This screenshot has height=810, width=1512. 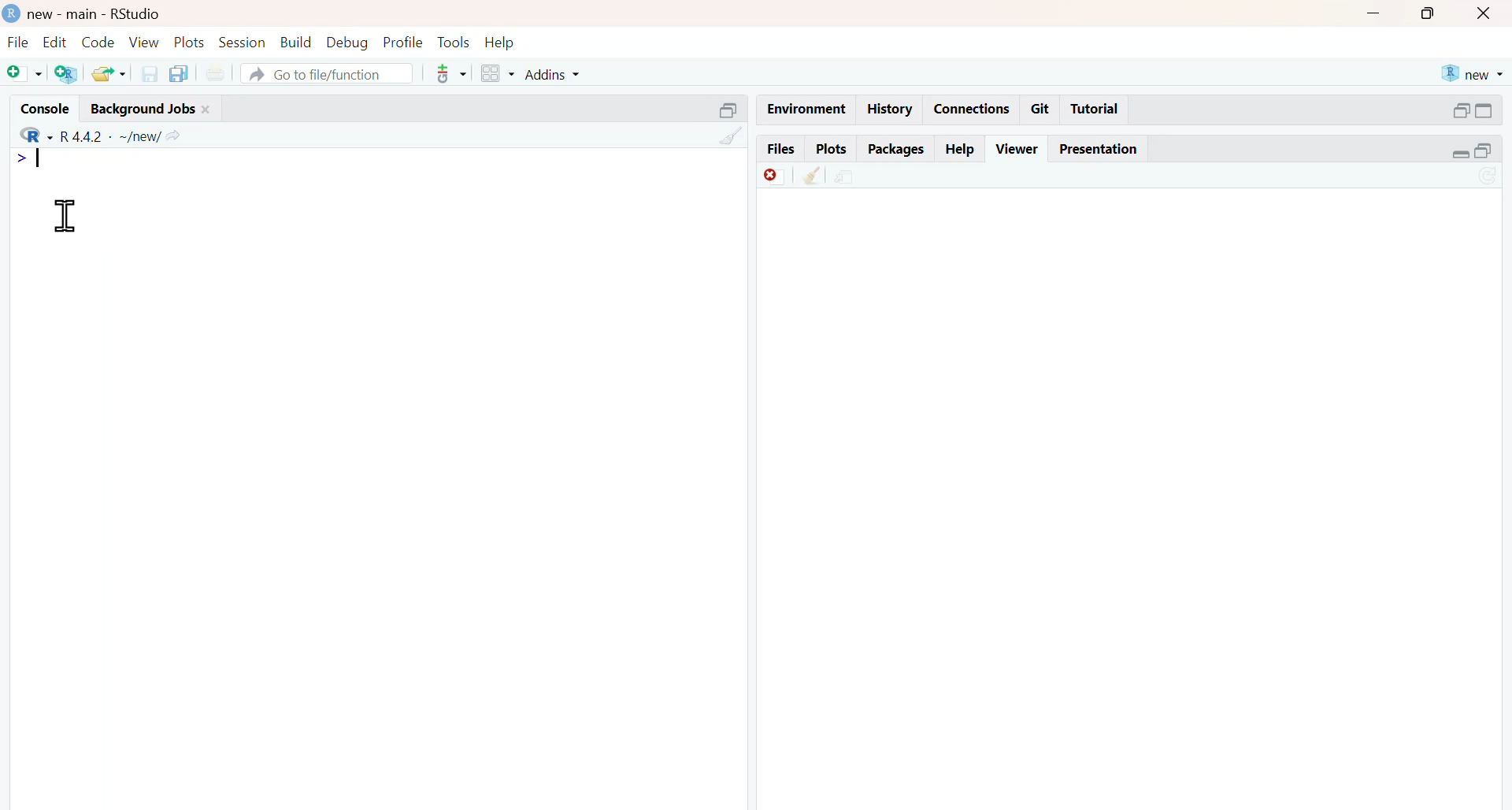 What do you see at coordinates (21, 158) in the screenshot?
I see `>` at bounding box center [21, 158].